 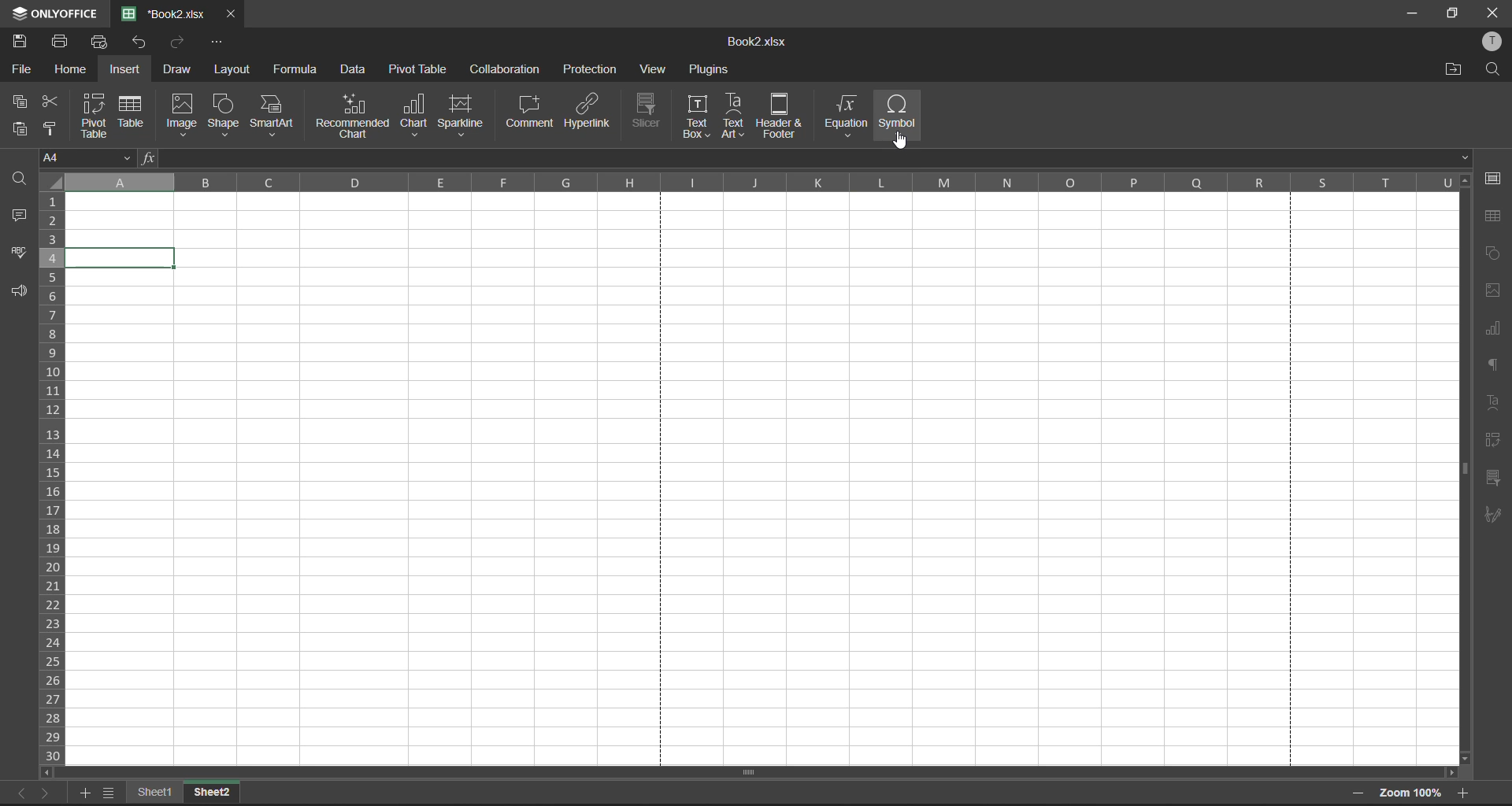 I want to click on chat, so click(x=416, y=116).